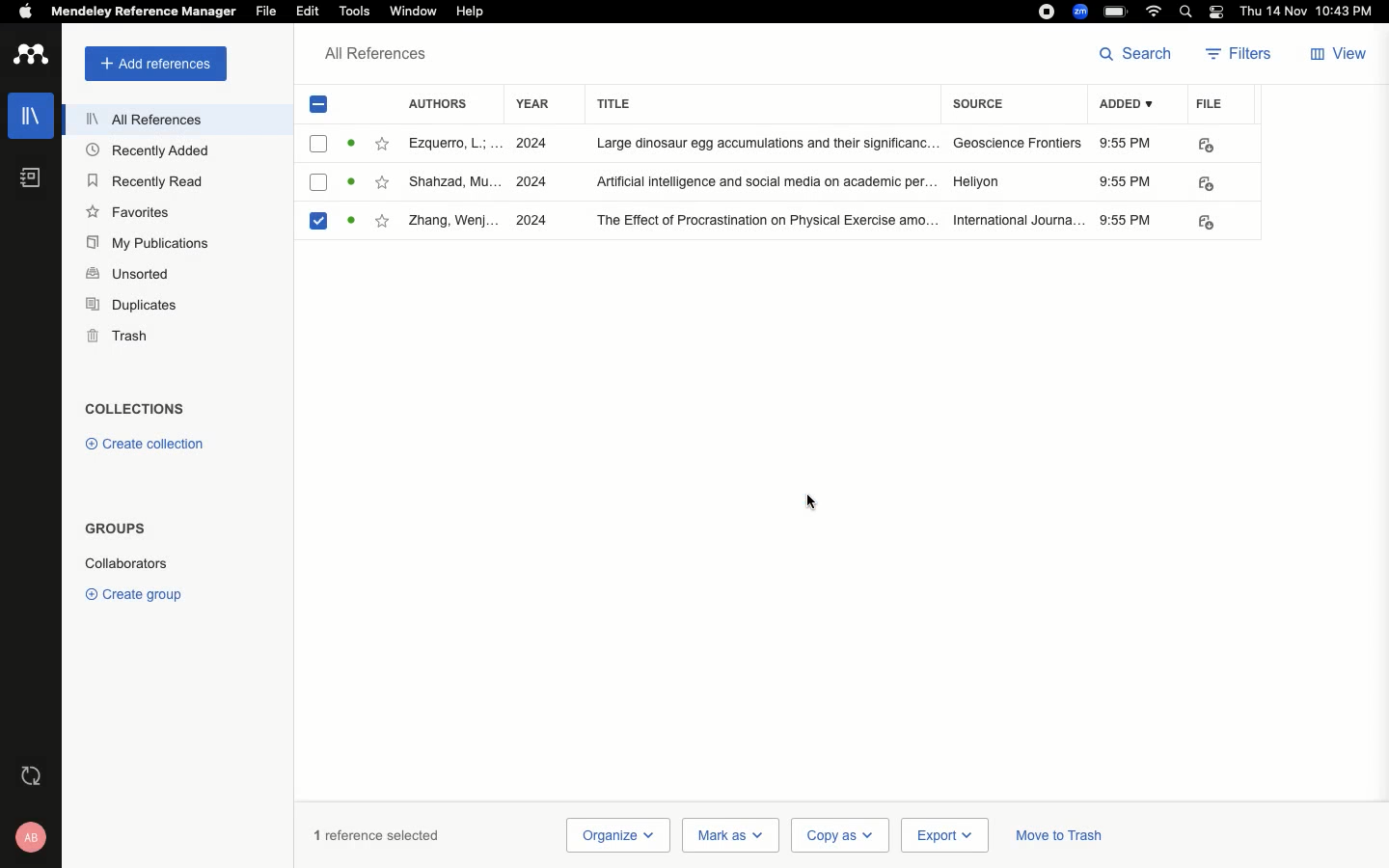 The image size is (1389, 868). Describe the element at coordinates (125, 563) in the screenshot. I see `Collaborators` at that location.